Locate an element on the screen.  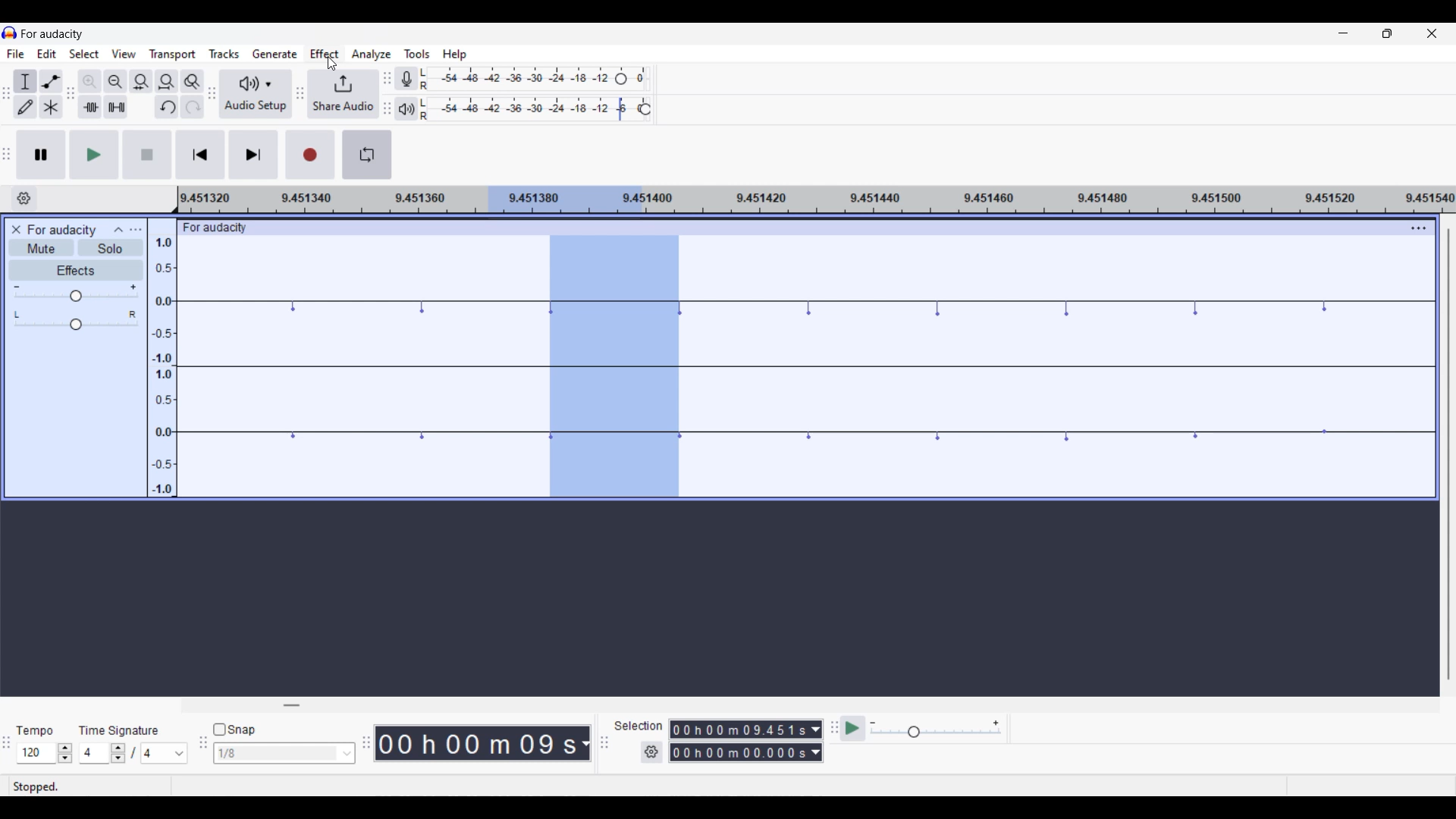
Time signature settings is located at coordinates (133, 754).